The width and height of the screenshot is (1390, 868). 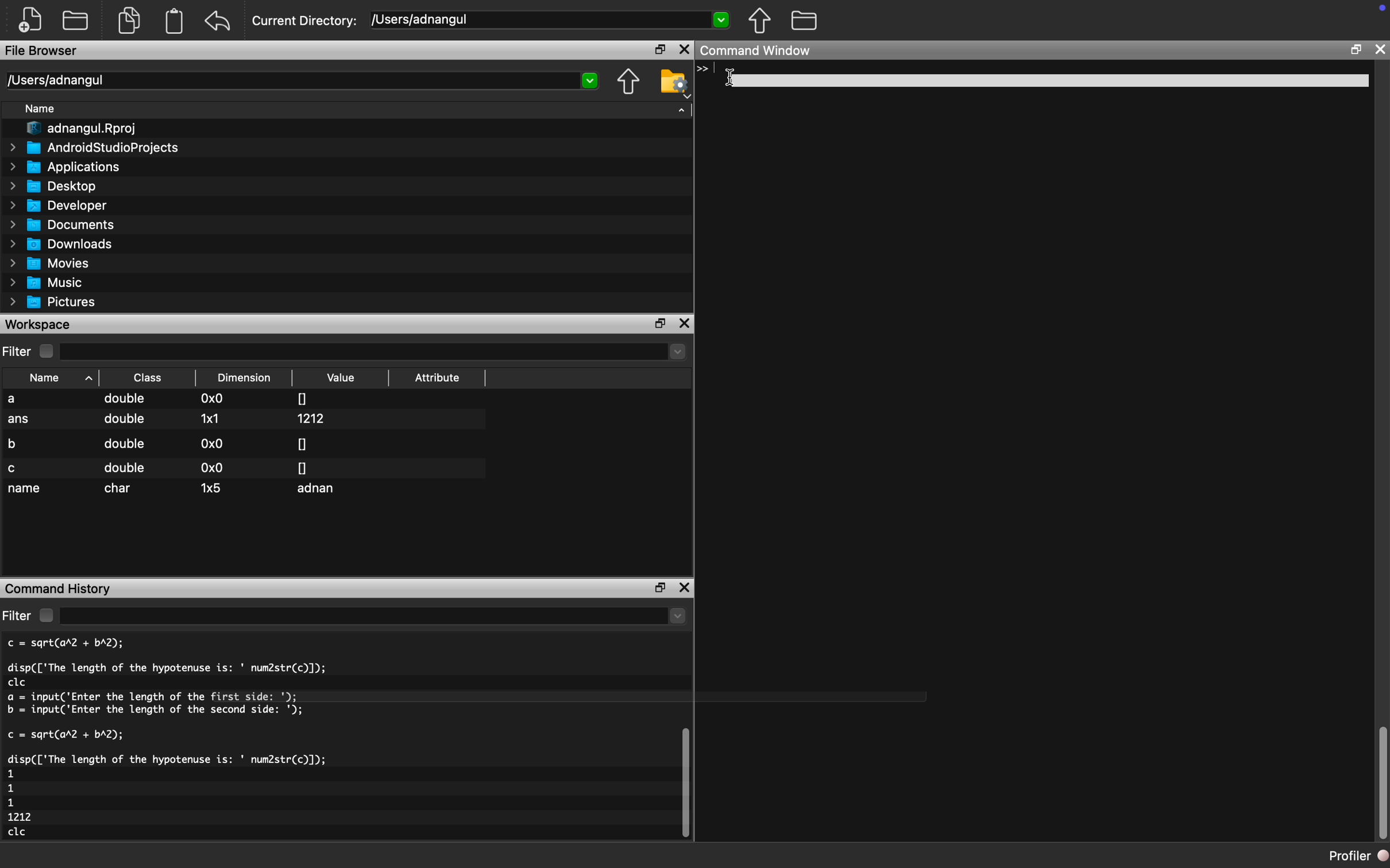 What do you see at coordinates (214, 400) in the screenshot?
I see `0x0` at bounding box center [214, 400].